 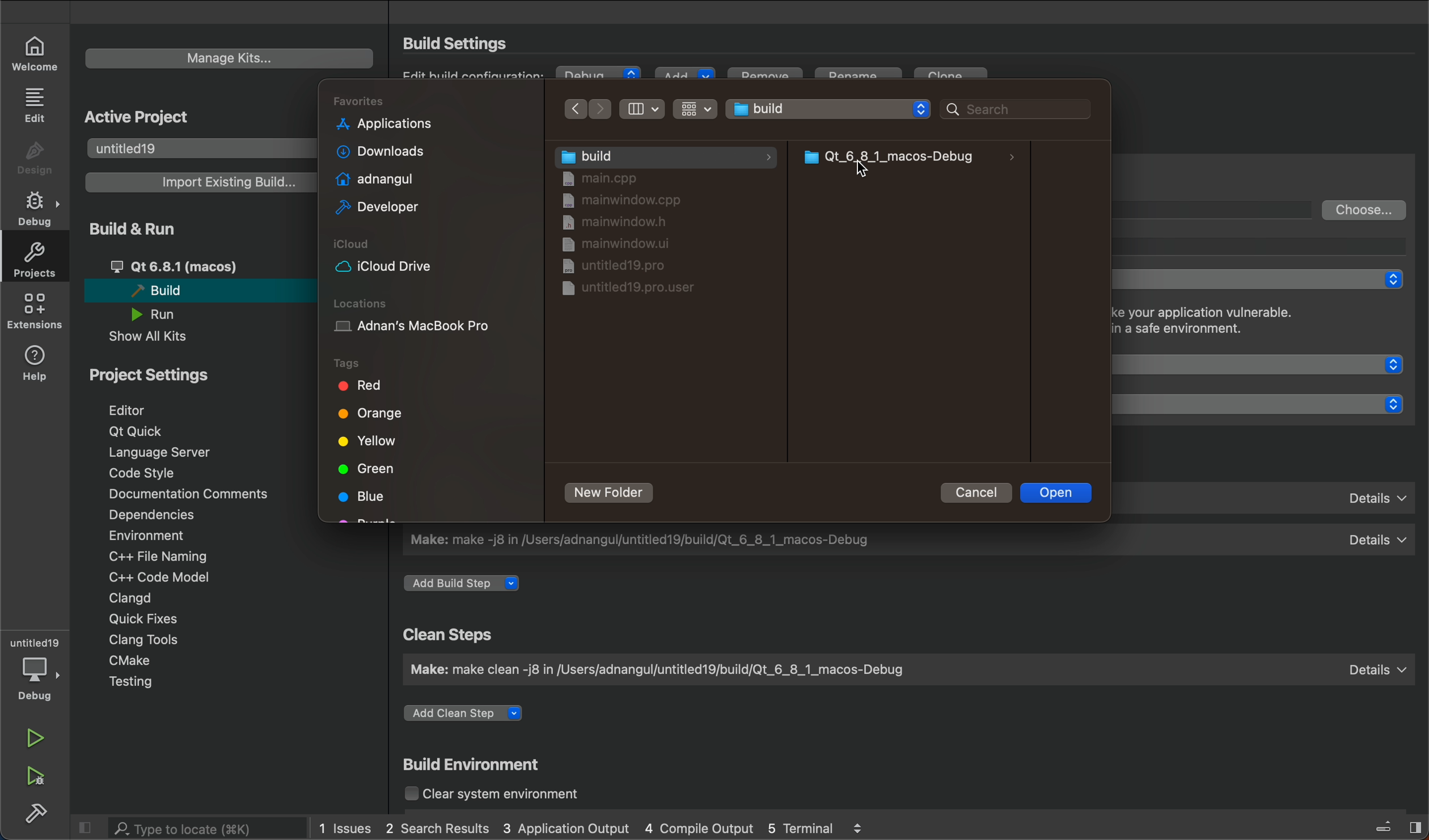 I want to click on edit build configuration , so click(x=476, y=75).